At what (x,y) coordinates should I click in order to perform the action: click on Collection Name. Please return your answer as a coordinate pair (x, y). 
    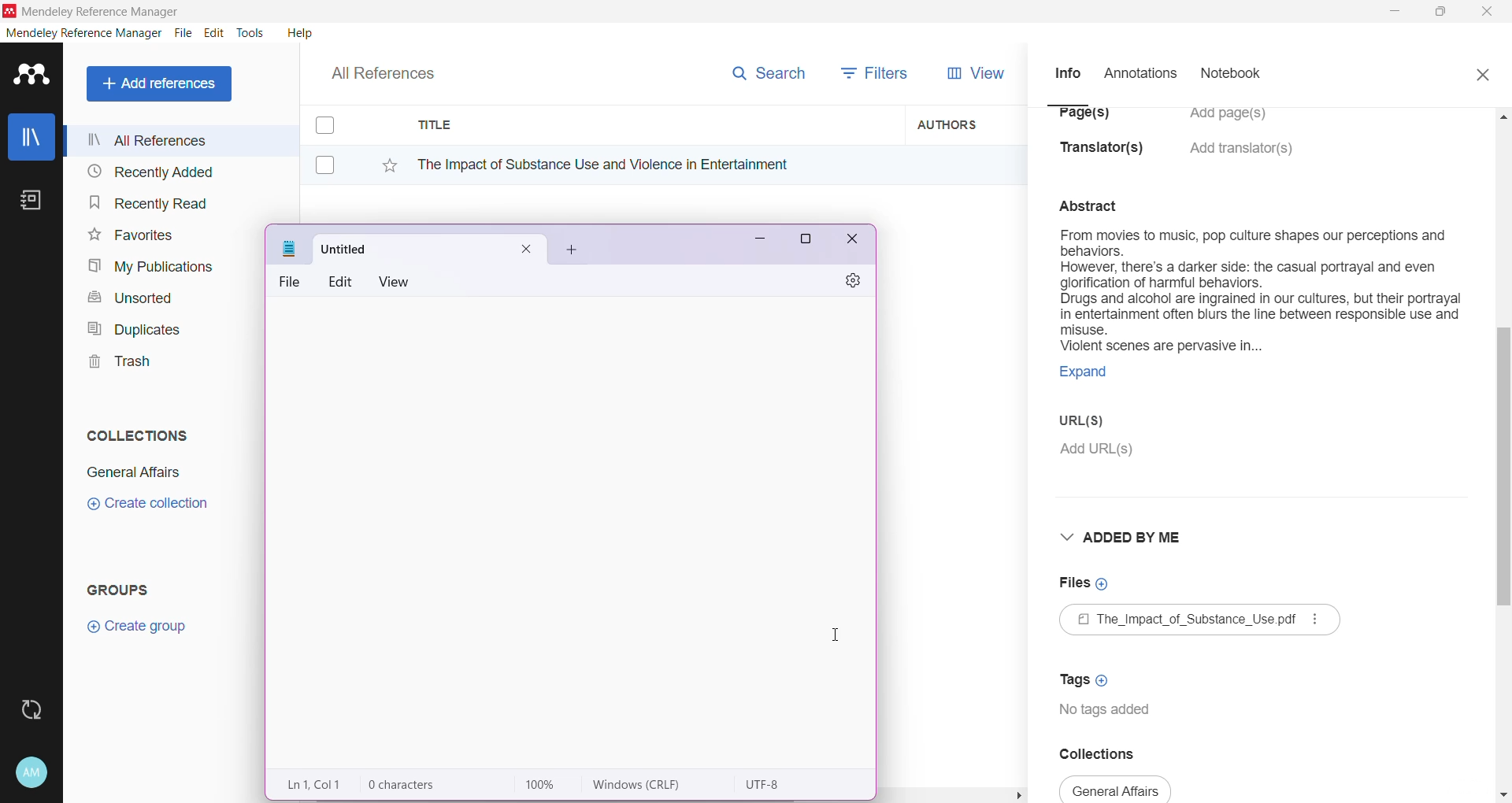
    Looking at the image, I should click on (131, 472).